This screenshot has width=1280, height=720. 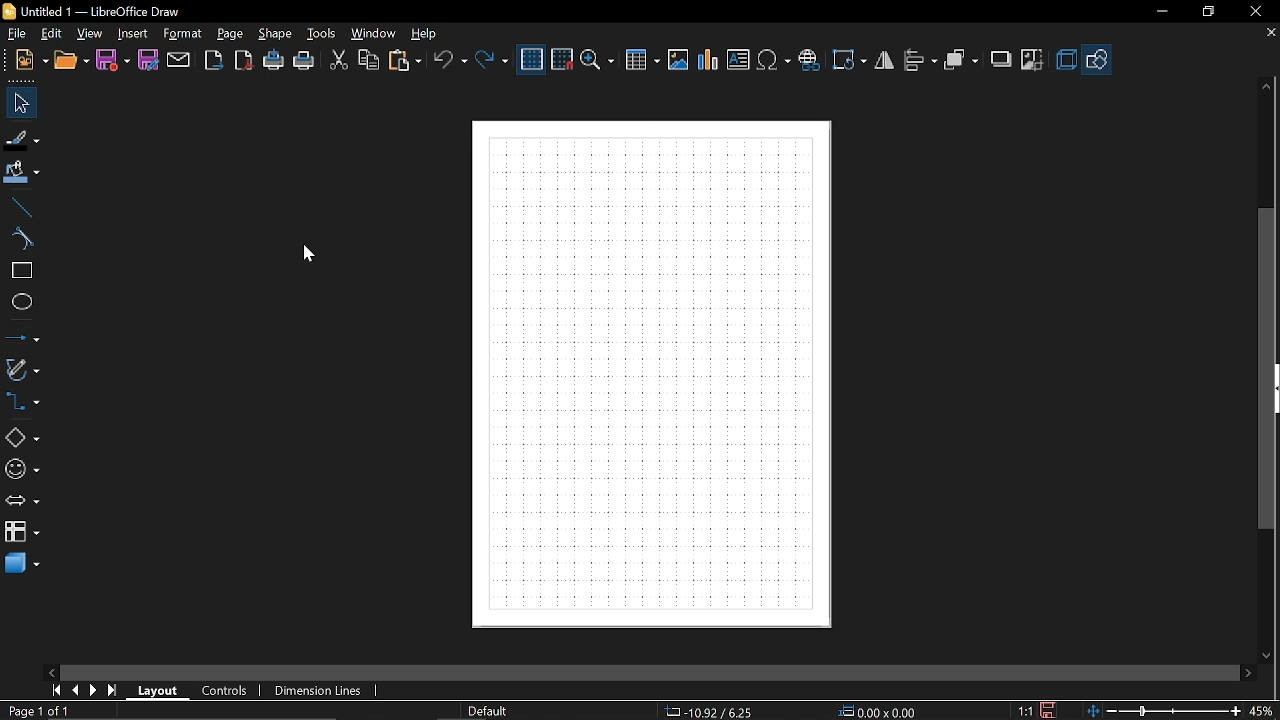 What do you see at coordinates (91, 34) in the screenshot?
I see `View` at bounding box center [91, 34].